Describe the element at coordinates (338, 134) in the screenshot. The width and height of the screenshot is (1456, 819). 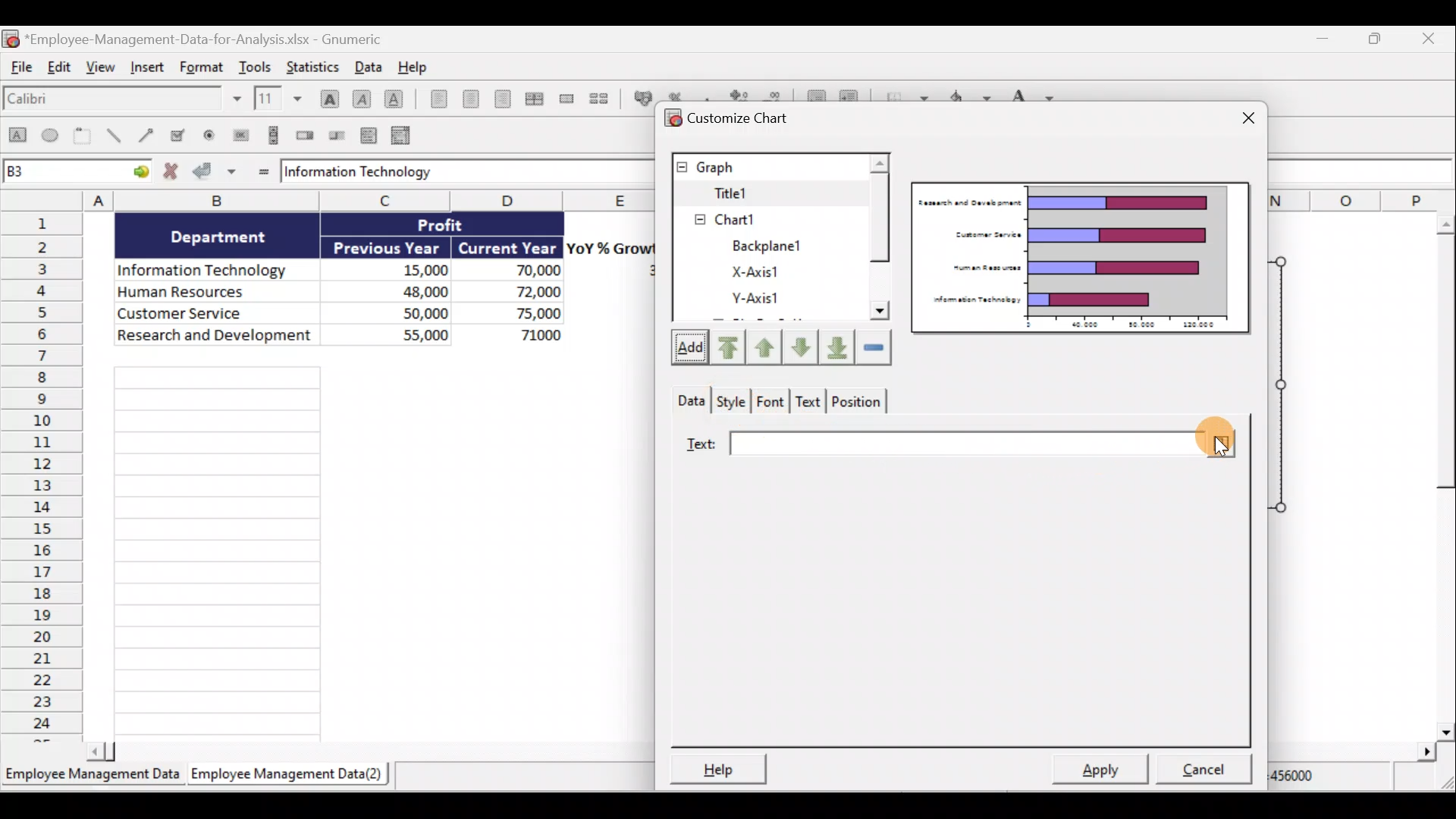
I see `Create a slider` at that location.